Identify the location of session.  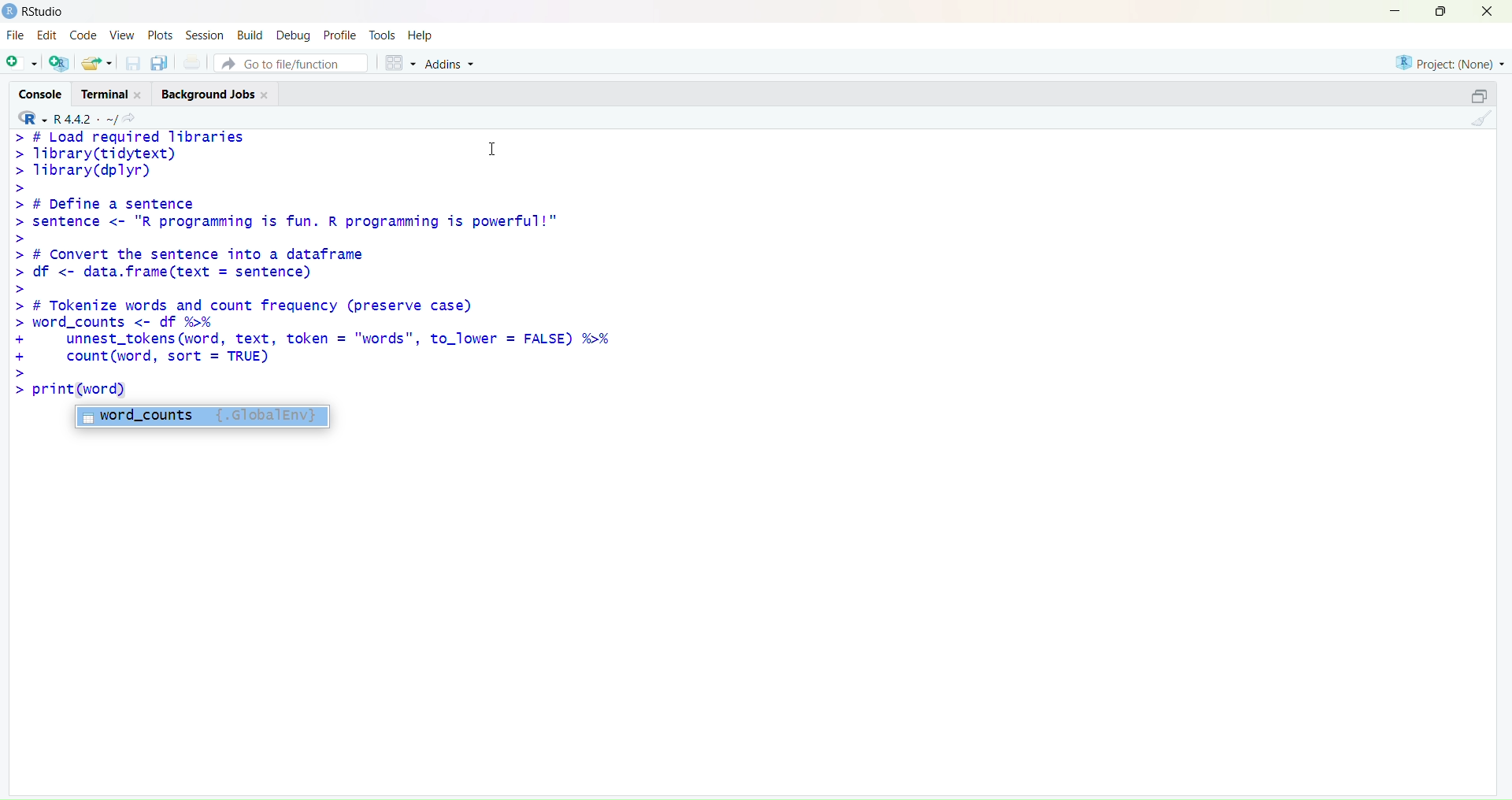
(205, 35).